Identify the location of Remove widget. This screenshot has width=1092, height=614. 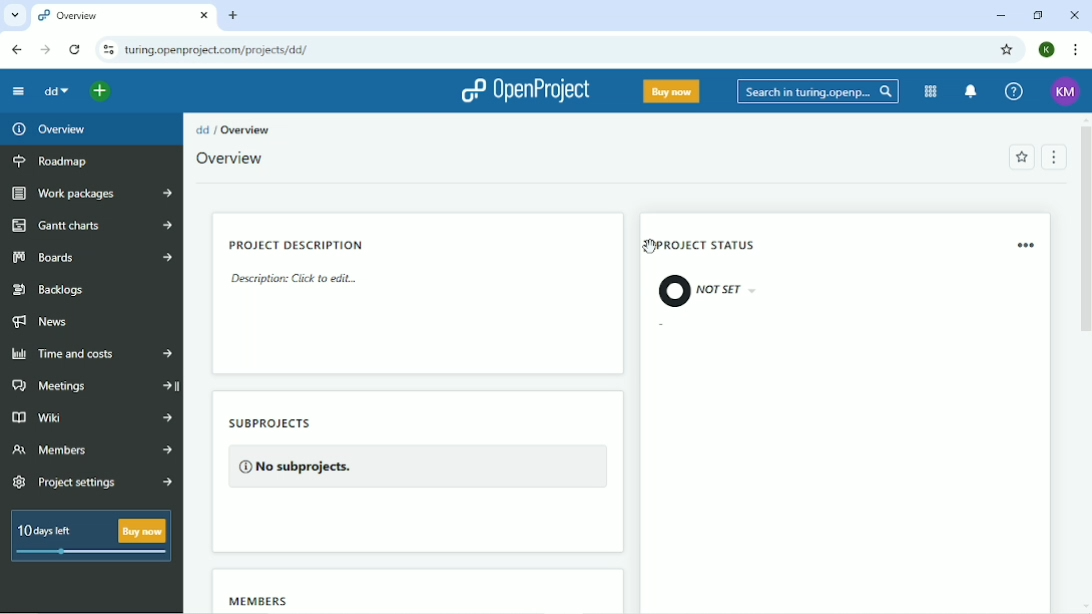
(1028, 245).